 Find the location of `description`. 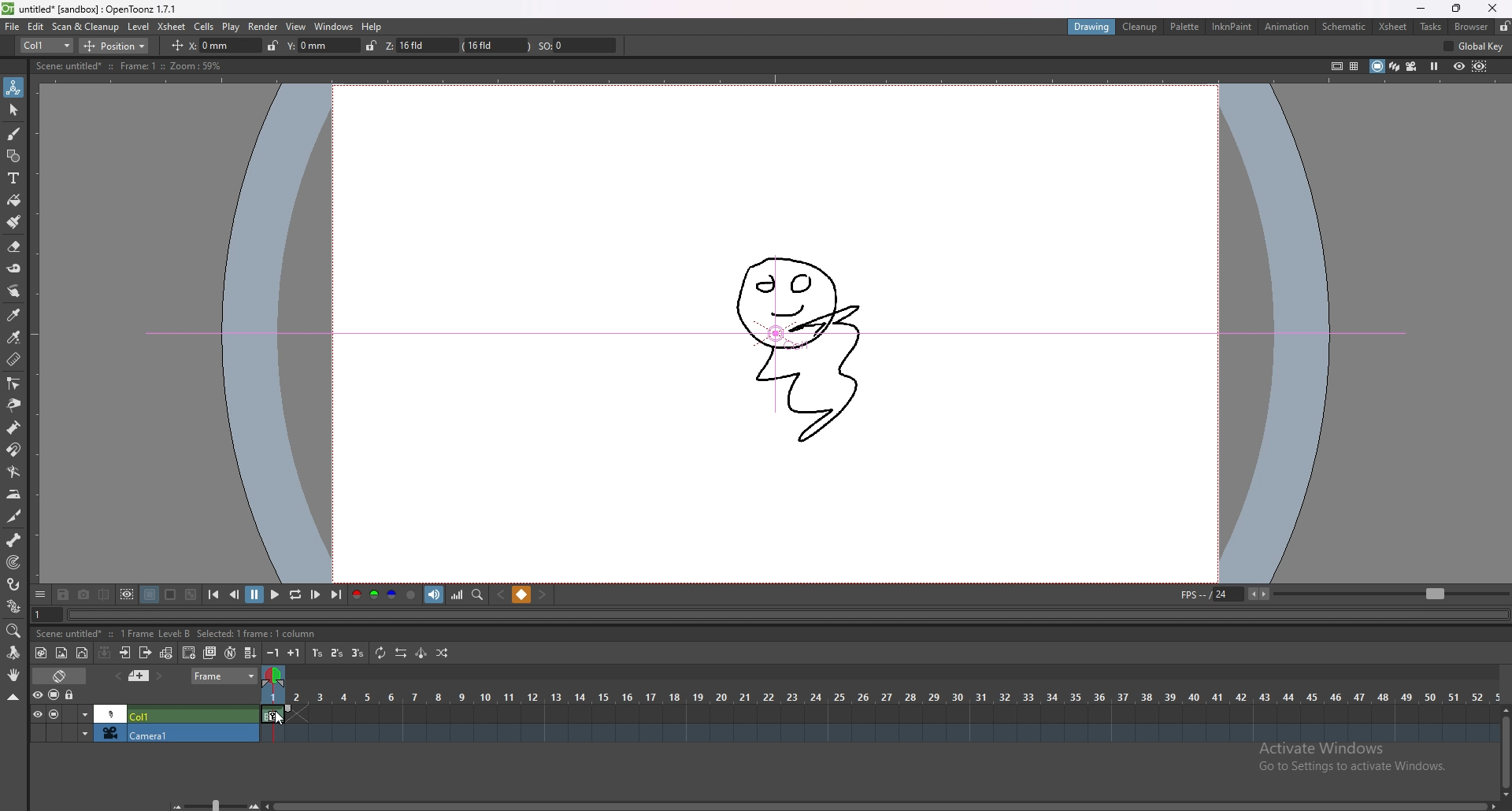

description is located at coordinates (117, 632).